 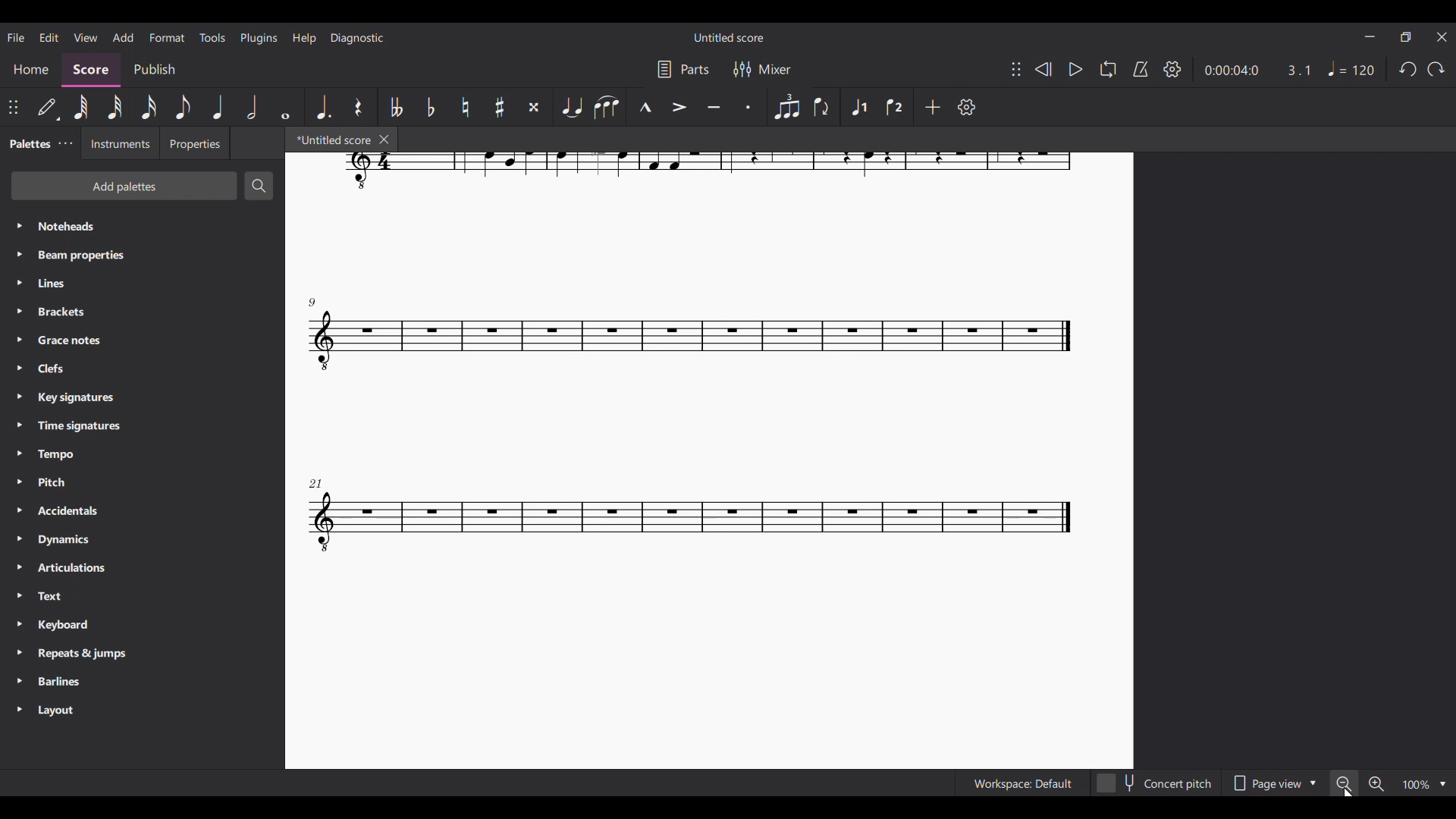 I want to click on Zoom in, so click(x=1376, y=783).